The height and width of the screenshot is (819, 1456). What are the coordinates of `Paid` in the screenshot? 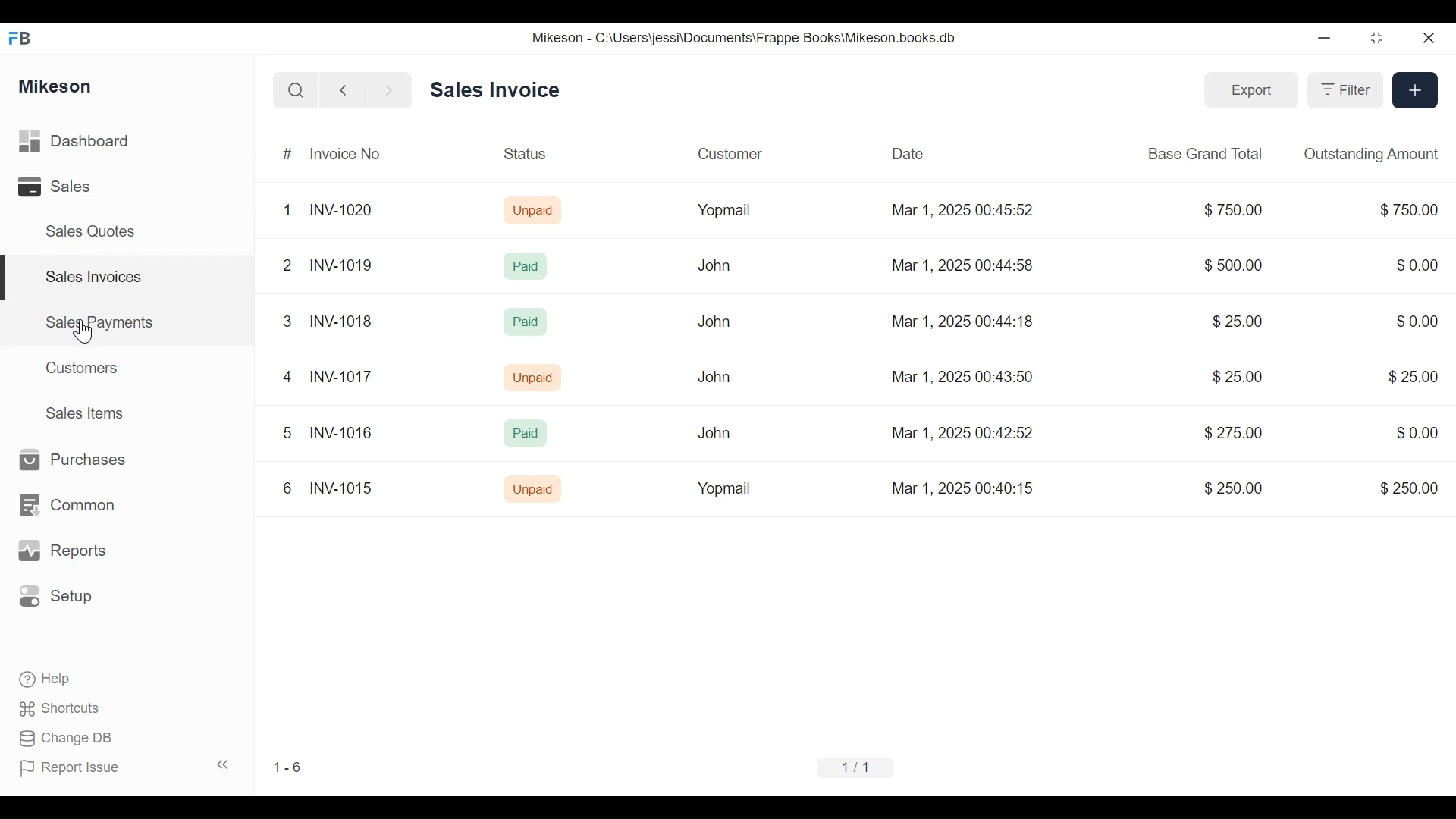 It's located at (519, 433).